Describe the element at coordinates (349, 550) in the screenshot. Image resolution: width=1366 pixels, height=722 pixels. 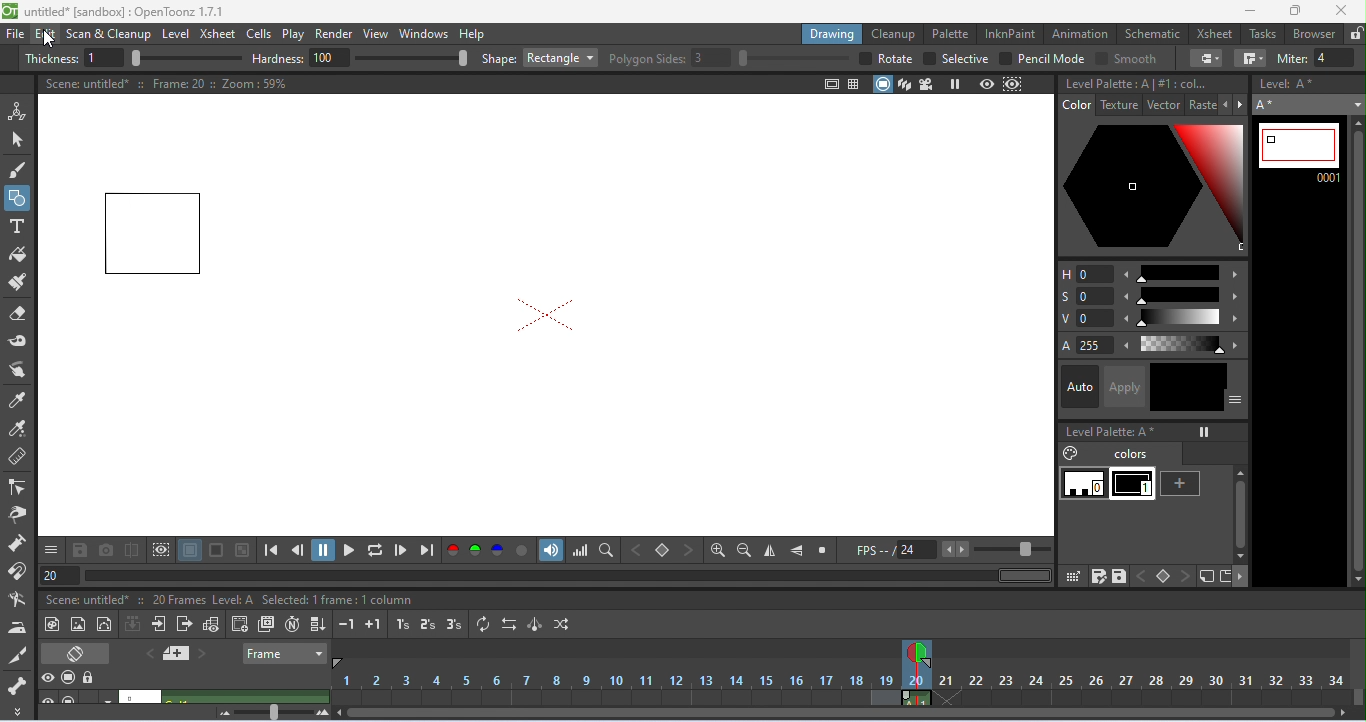
I see `play` at that location.